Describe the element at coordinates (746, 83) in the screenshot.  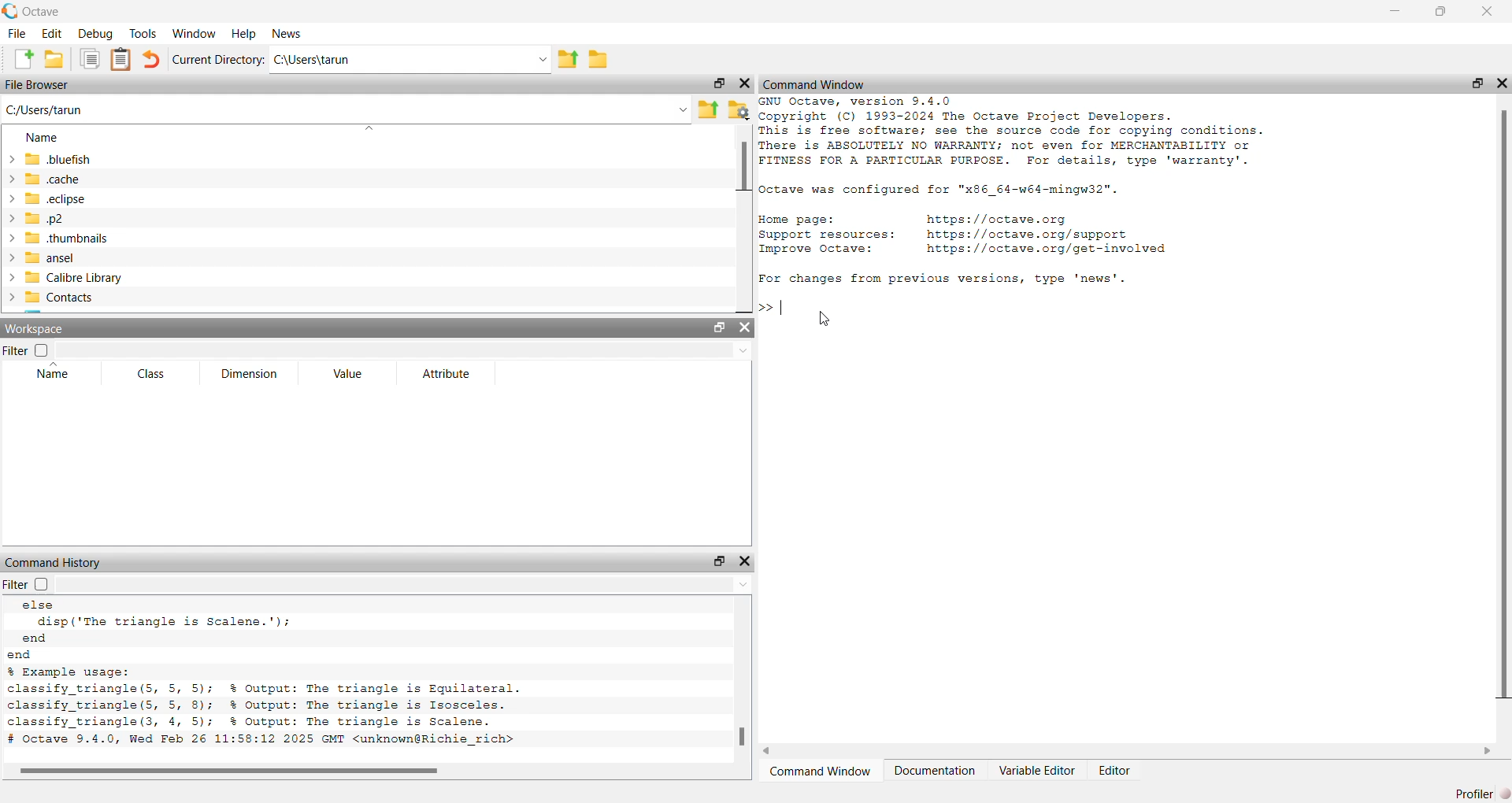
I see `hide widget` at that location.